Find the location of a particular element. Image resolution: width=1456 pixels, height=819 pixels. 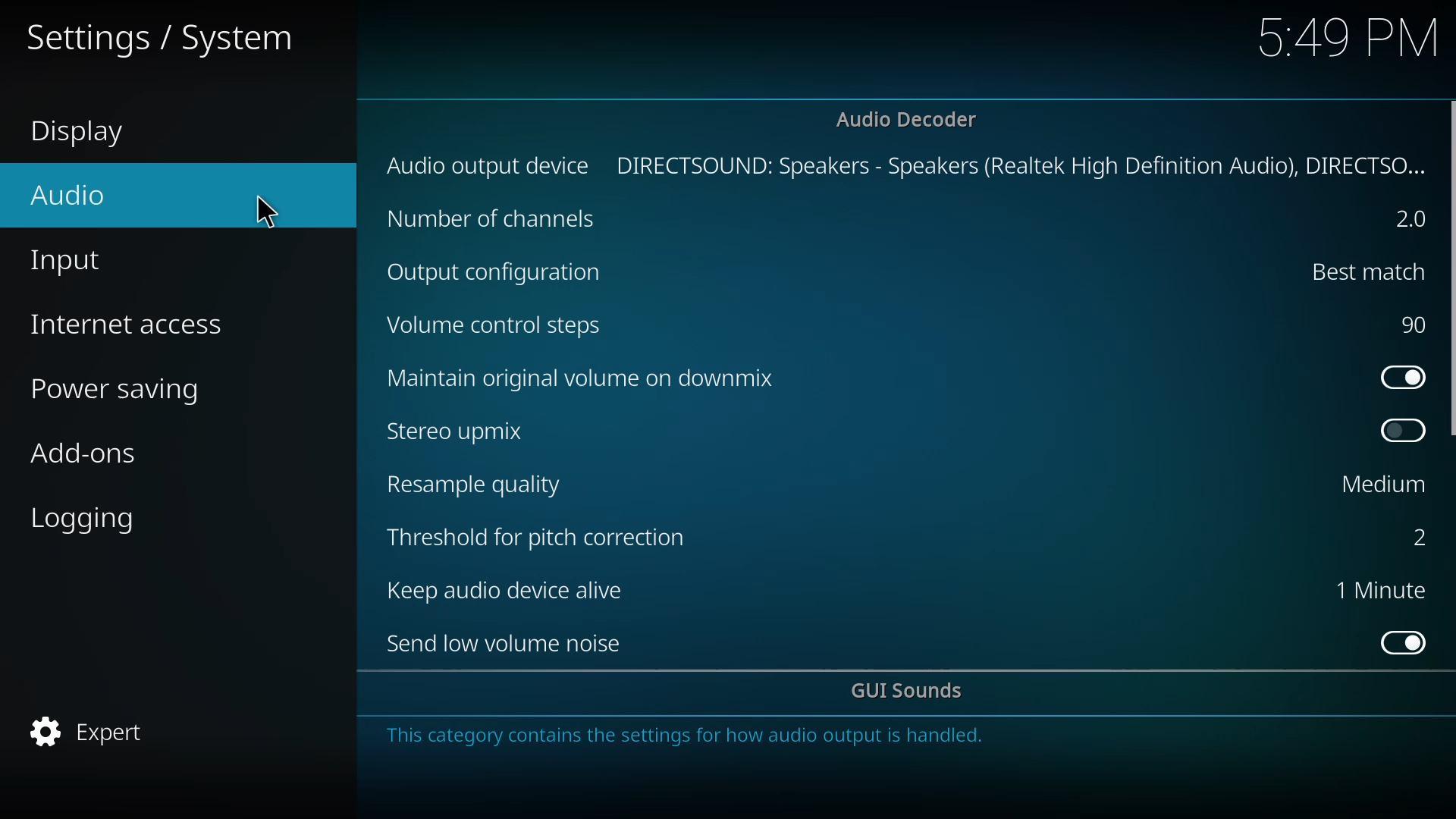

gui sounds is located at coordinates (905, 690).